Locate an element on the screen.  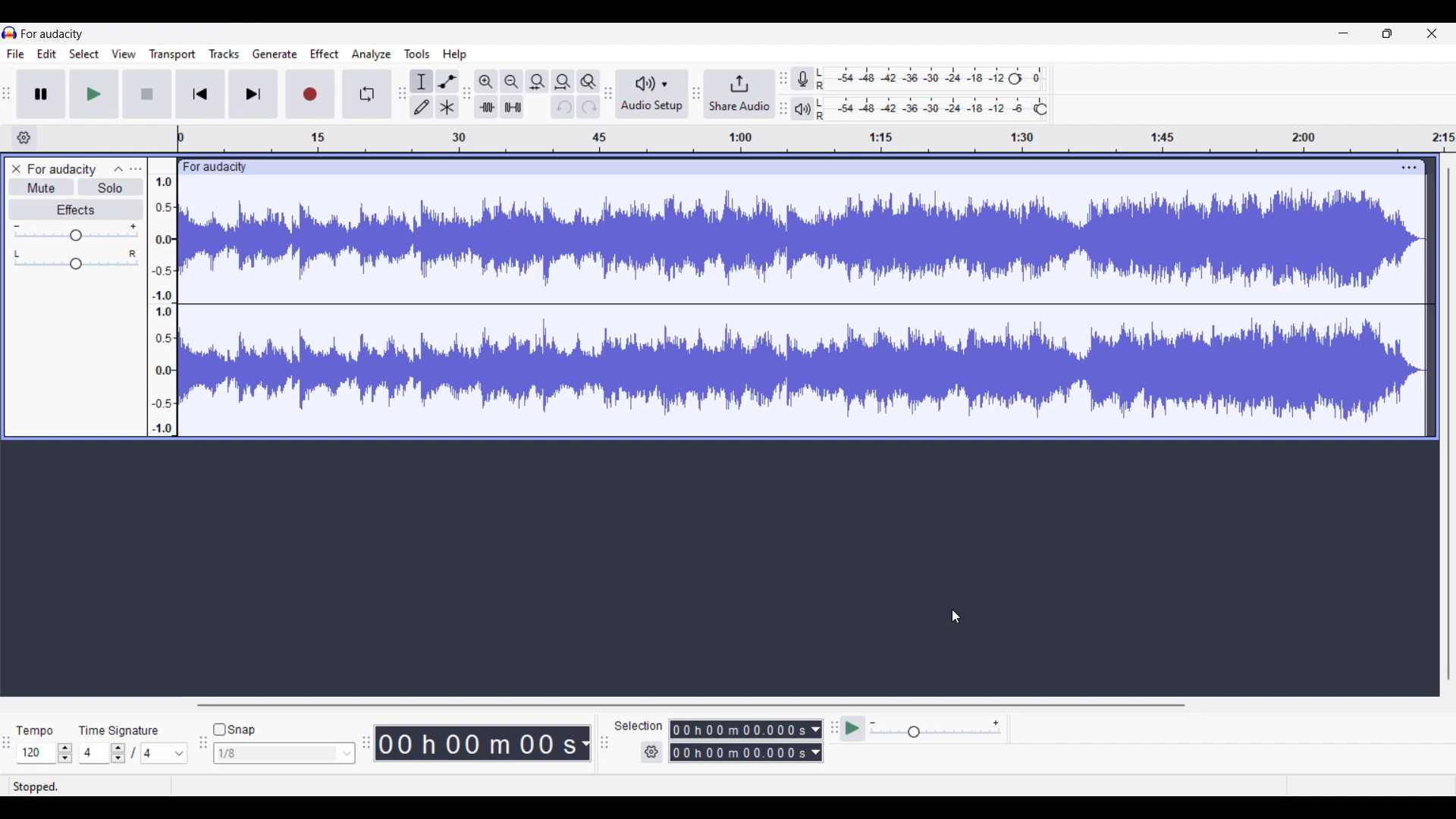
Enable looping is located at coordinates (366, 94).